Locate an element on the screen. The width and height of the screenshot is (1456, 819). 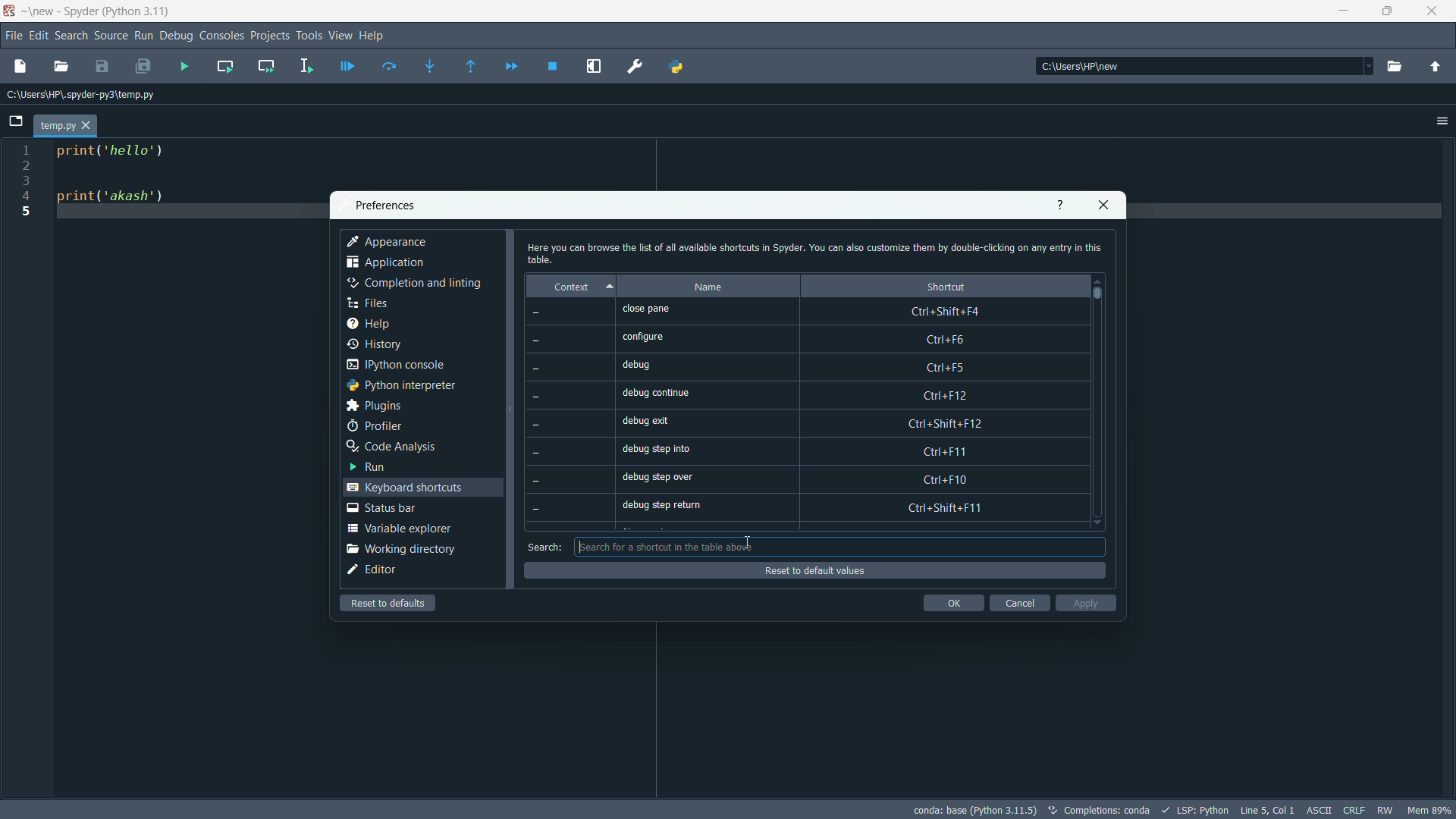
keyboard shortcuts is located at coordinates (403, 486).